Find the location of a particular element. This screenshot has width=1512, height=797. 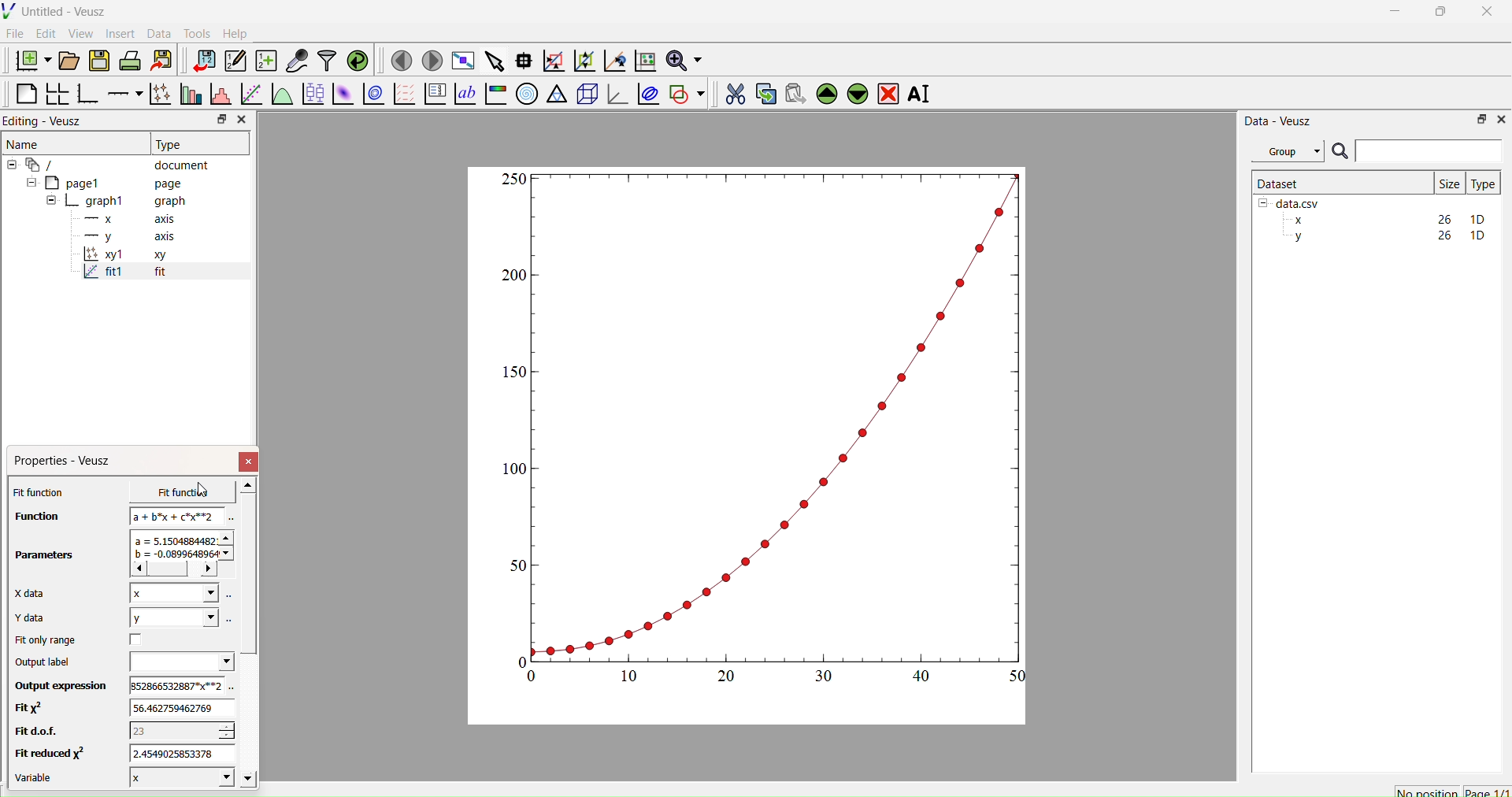

Plot a function is located at coordinates (281, 95).